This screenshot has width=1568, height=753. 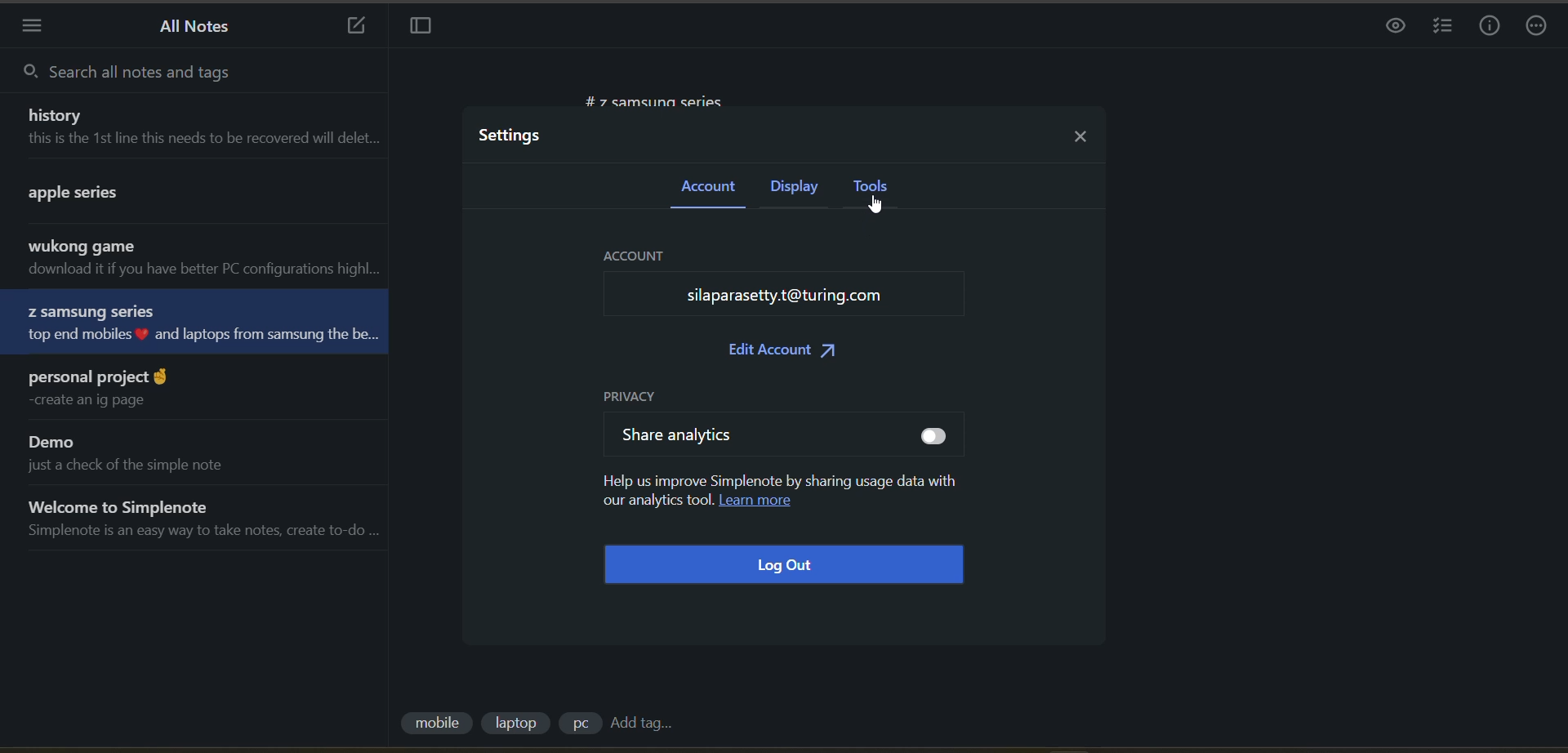 I want to click on privacy, so click(x=636, y=394).